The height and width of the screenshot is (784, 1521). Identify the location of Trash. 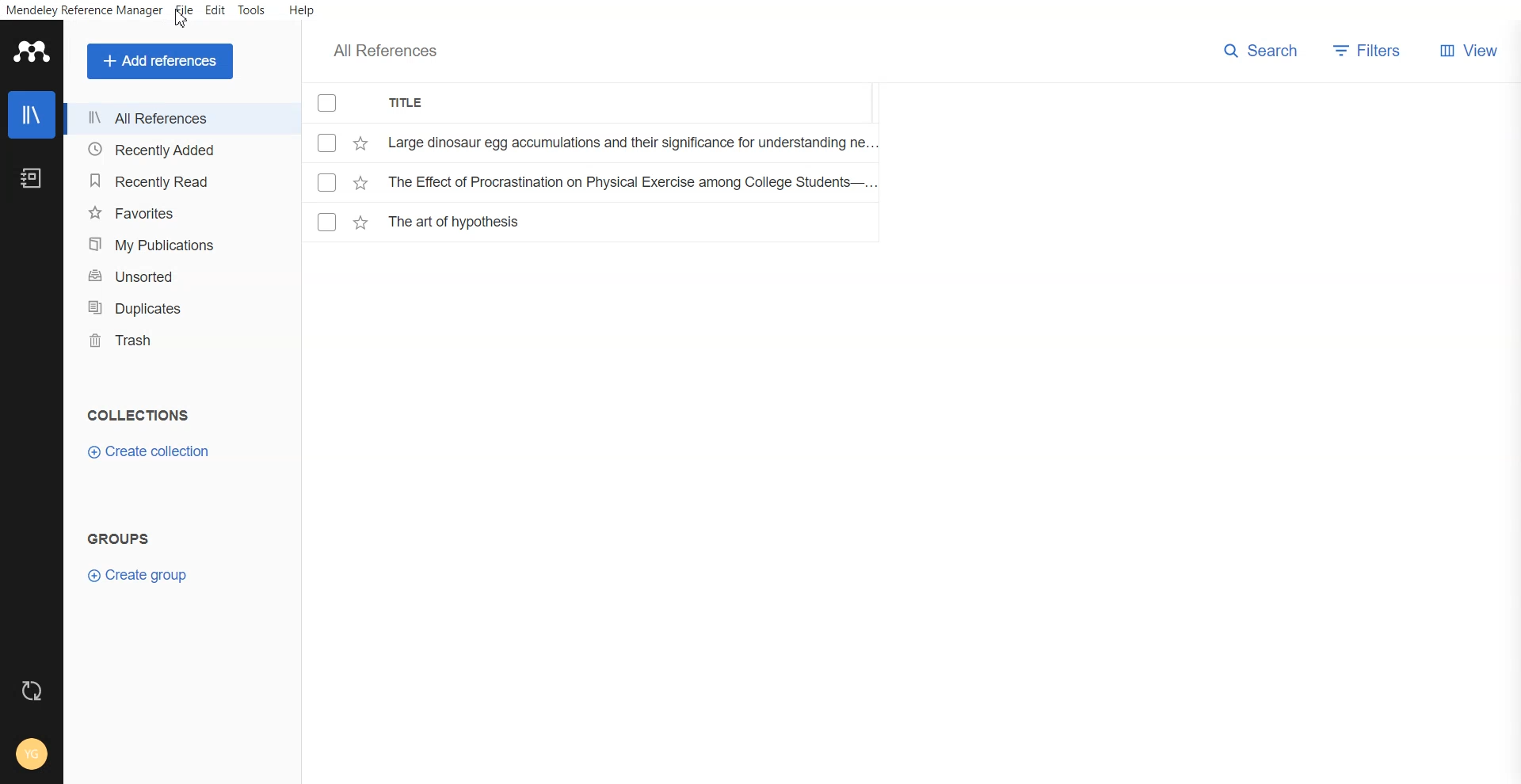
(166, 340).